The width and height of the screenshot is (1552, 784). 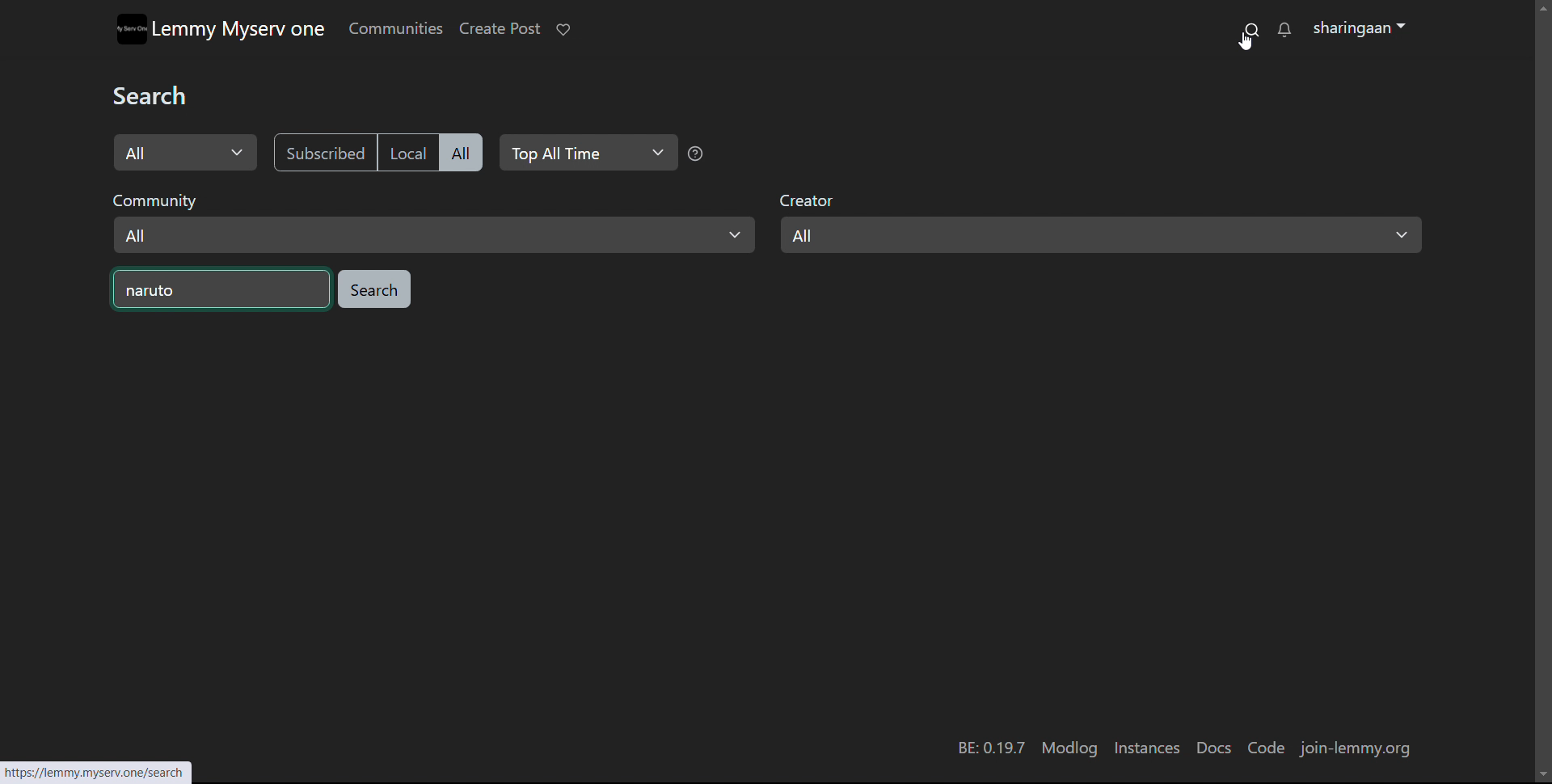 What do you see at coordinates (221, 289) in the screenshot?
I see `Searching 'Naruto' ` at bounding box center [221, 289].